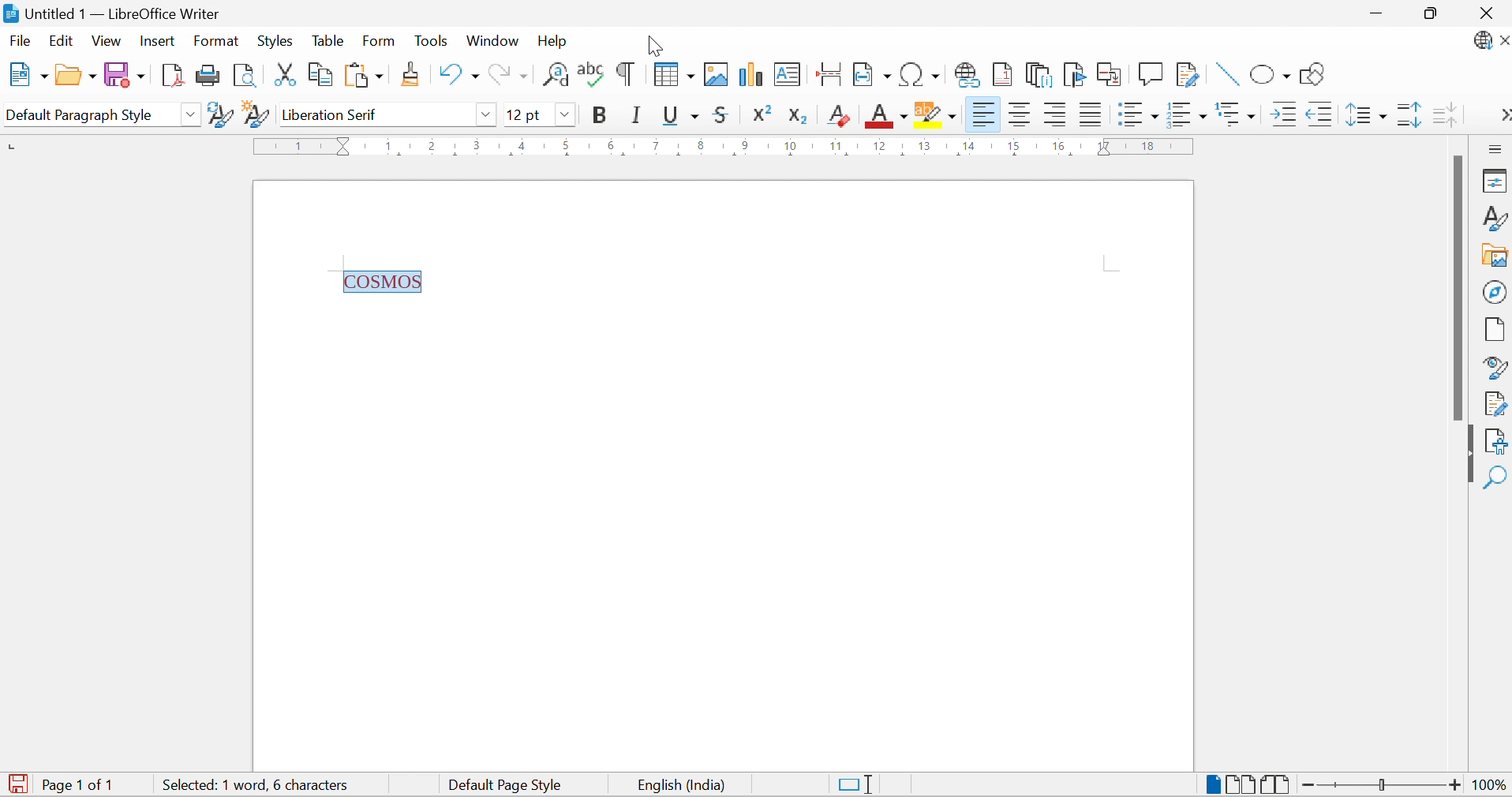 The height and width of the screenshot is (797, 1512). Describe the element at coordinates (624, 75) in the screenshot. I see `Toggle Formatting Marks` at that location.